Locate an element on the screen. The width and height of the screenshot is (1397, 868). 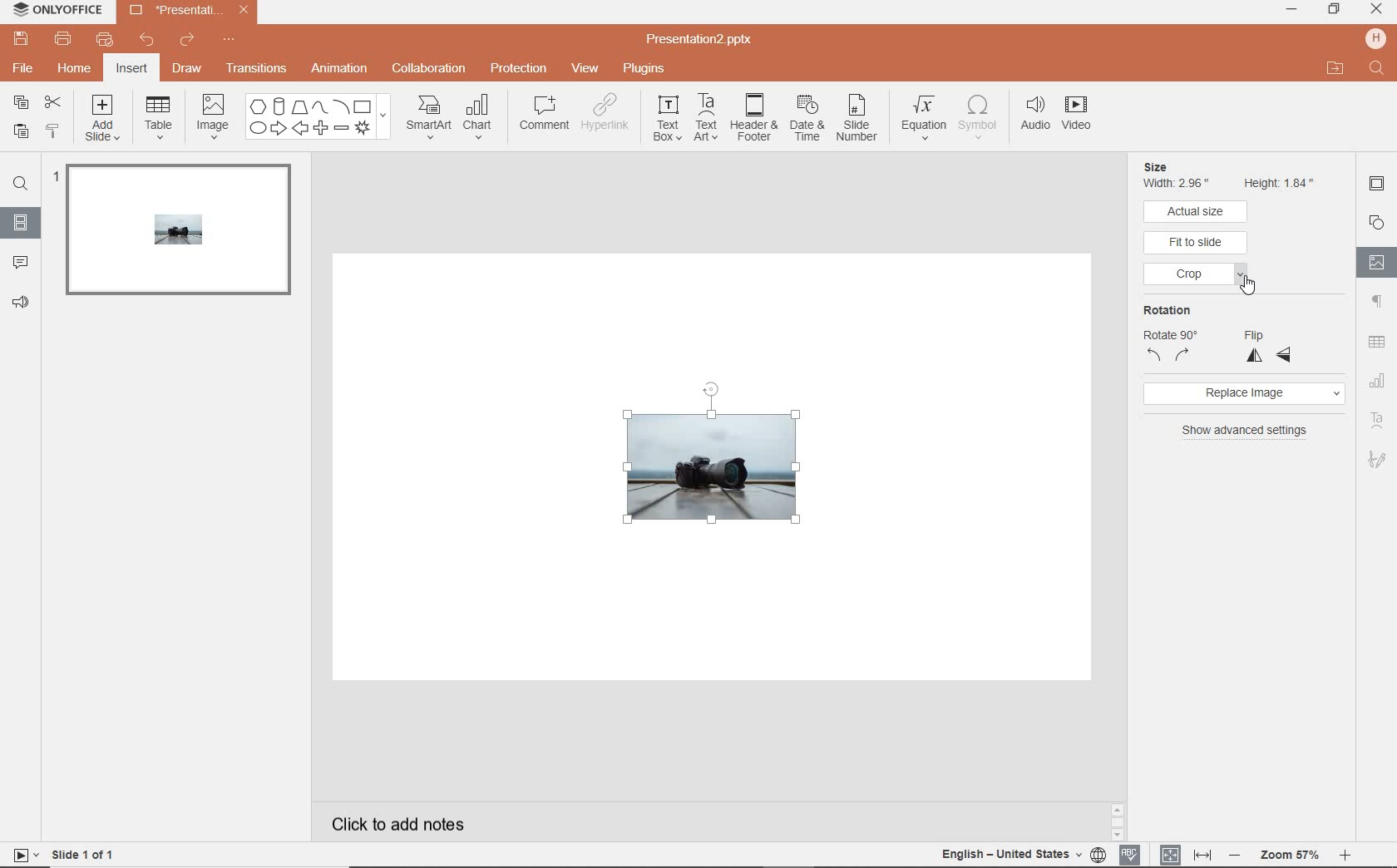
Width 2.96" is located at coordinates (1179, 184).